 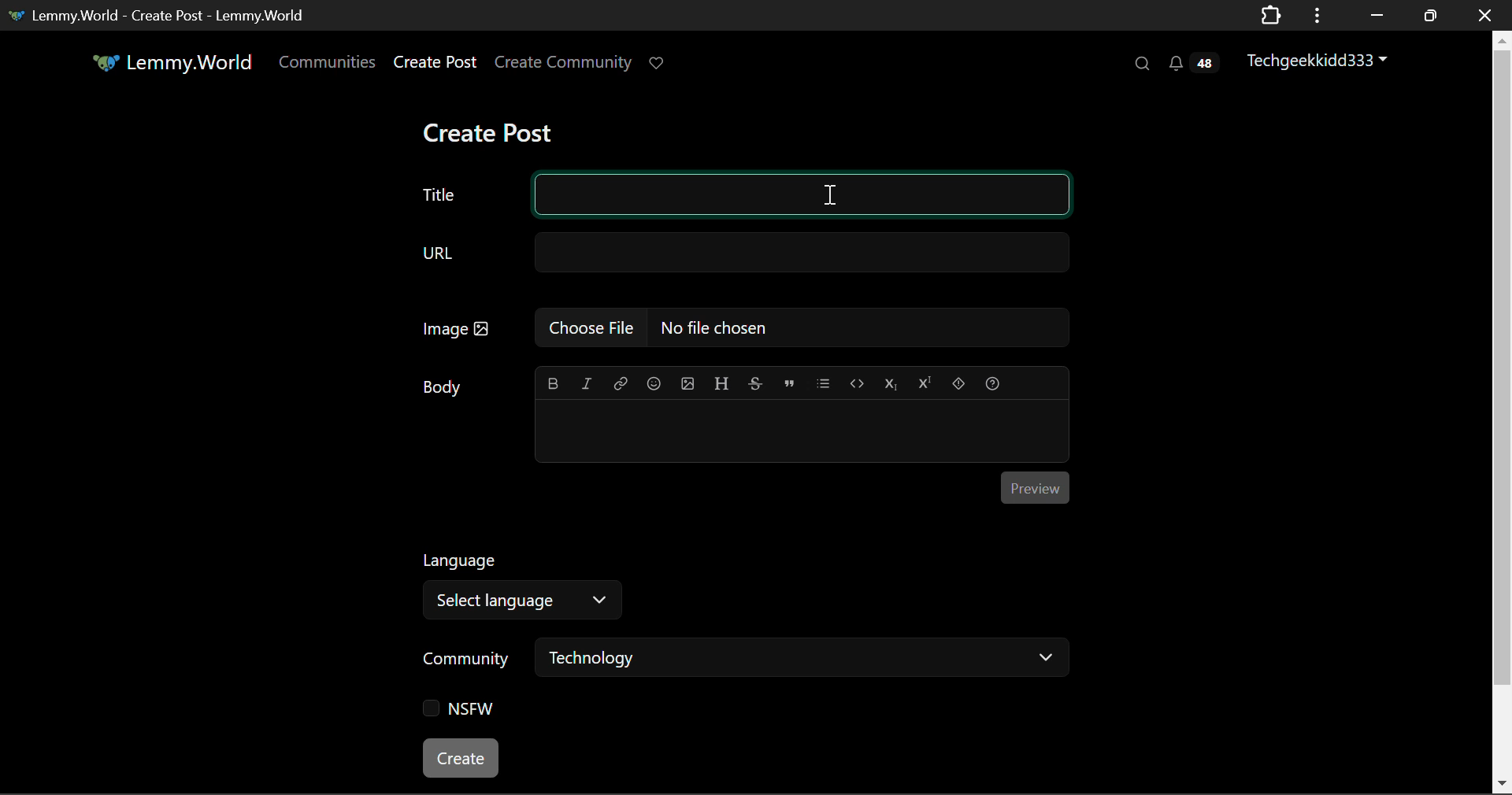 I want to click on Close Window, so click(x=1485, y=14).